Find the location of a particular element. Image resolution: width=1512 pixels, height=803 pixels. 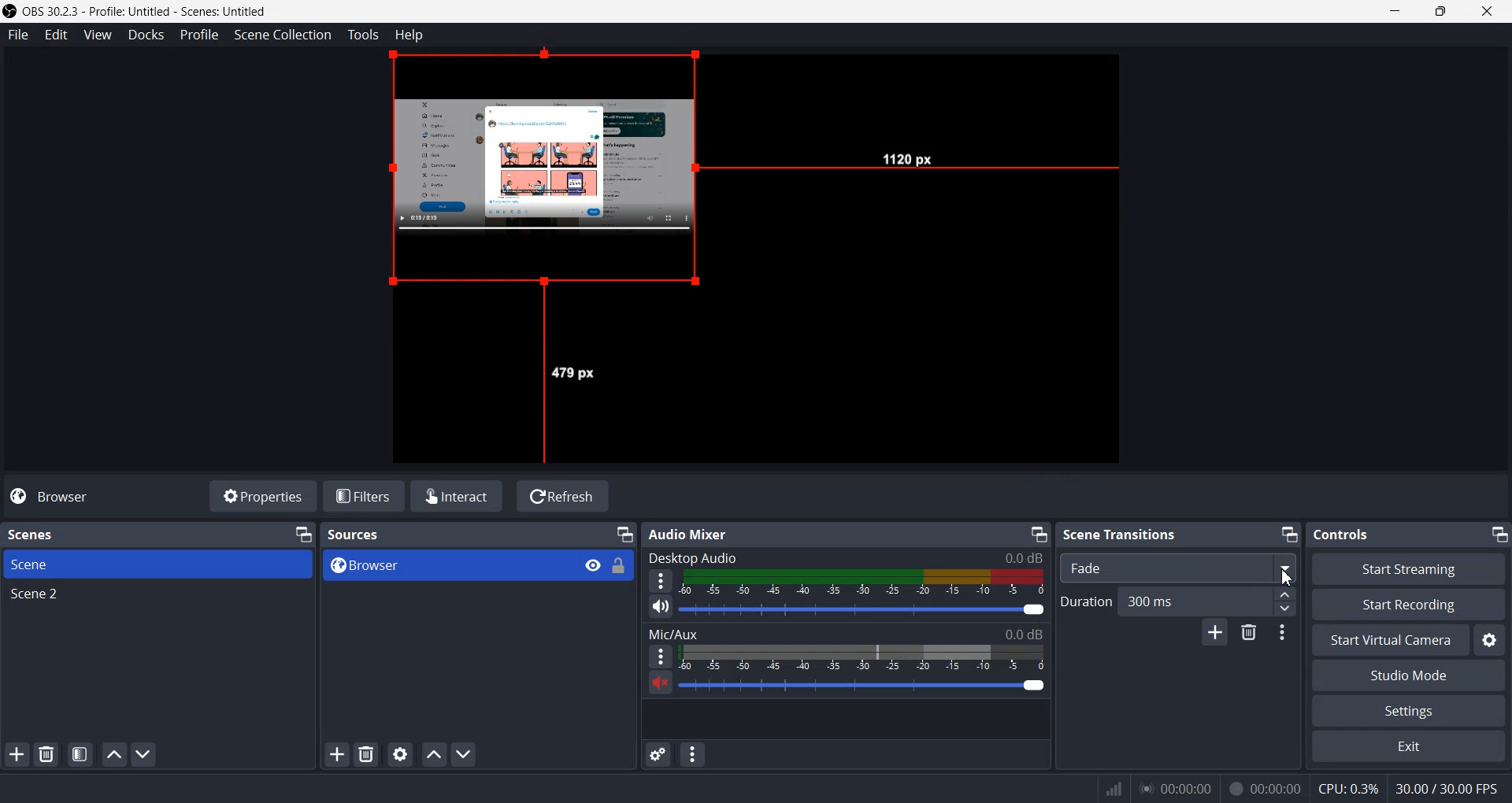

More is located at coordinates (661, 580).